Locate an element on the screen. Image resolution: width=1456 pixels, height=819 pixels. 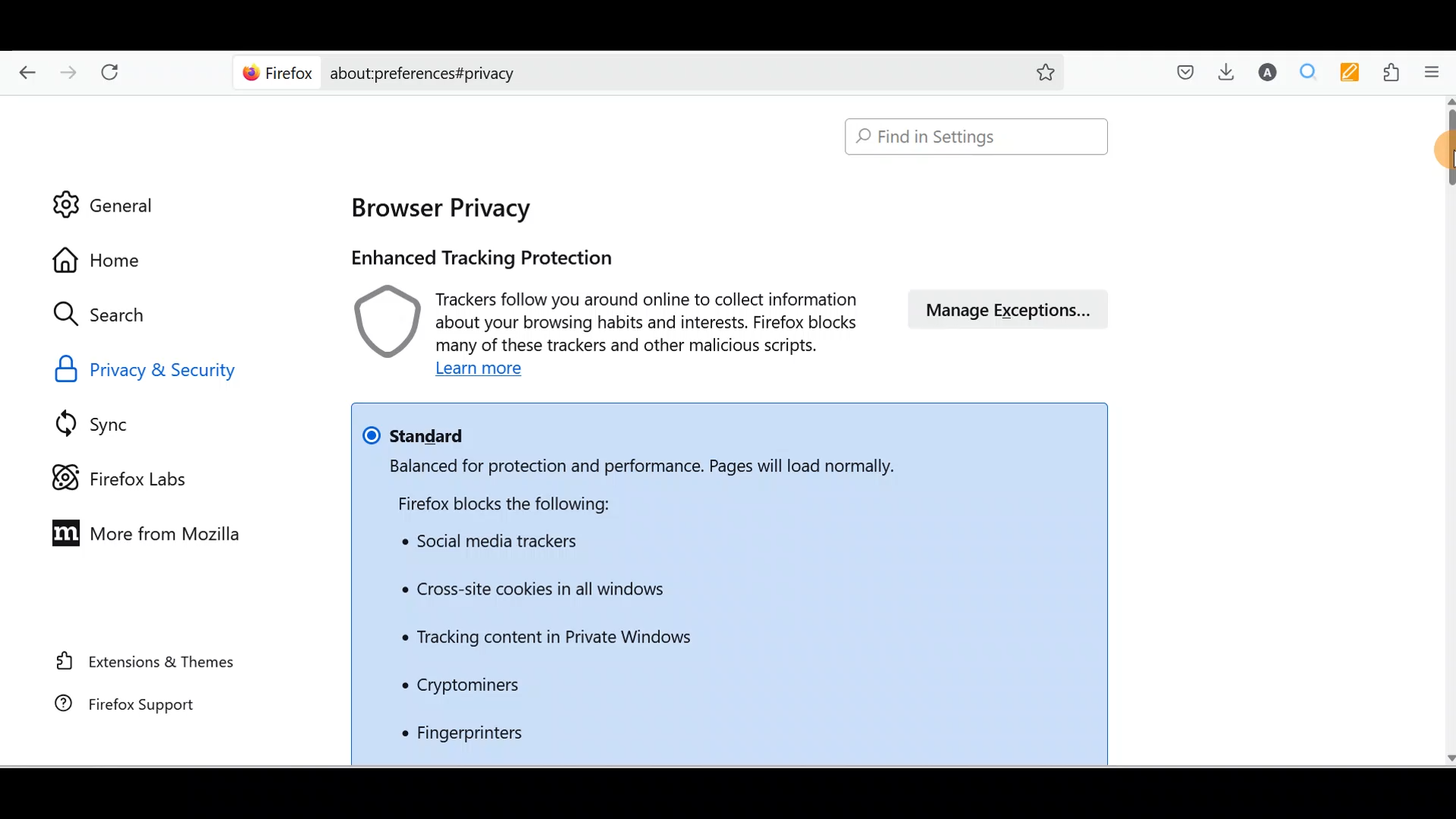
Multiple search and higlight is located at coordinates (1304, 71).